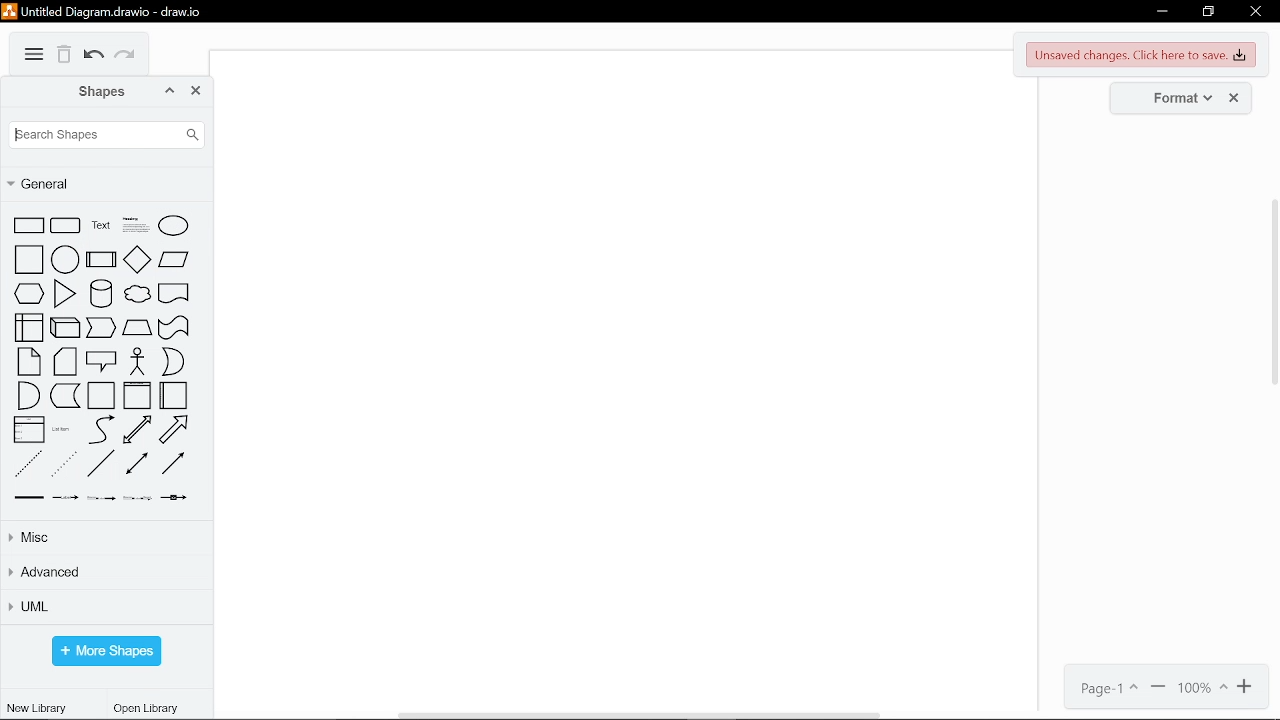  Describe the element at coordinates (27, 464) in the screenshot. I see `dashed line` at that location.